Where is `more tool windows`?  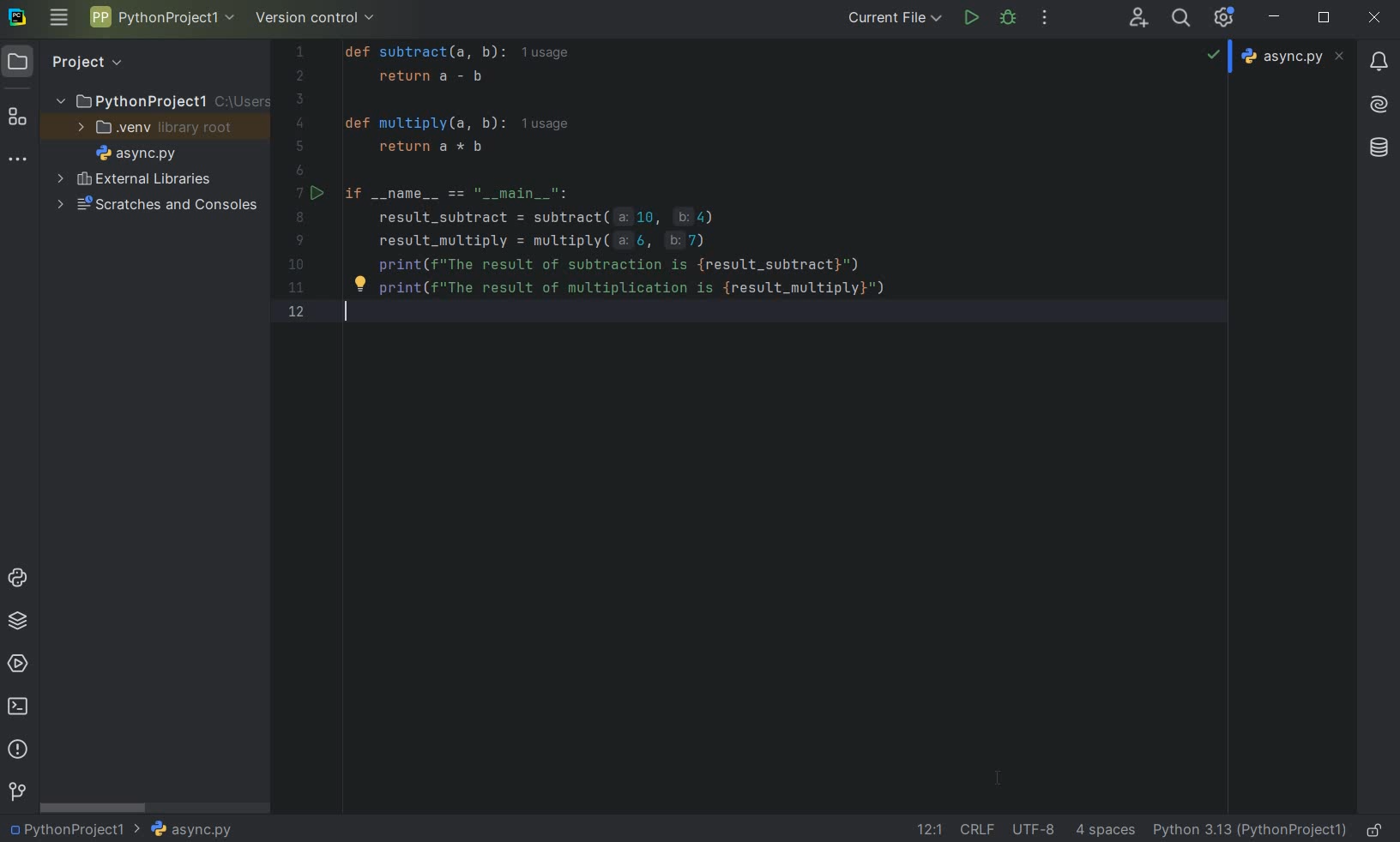 more tool windows is located at coordinates (15, 159).